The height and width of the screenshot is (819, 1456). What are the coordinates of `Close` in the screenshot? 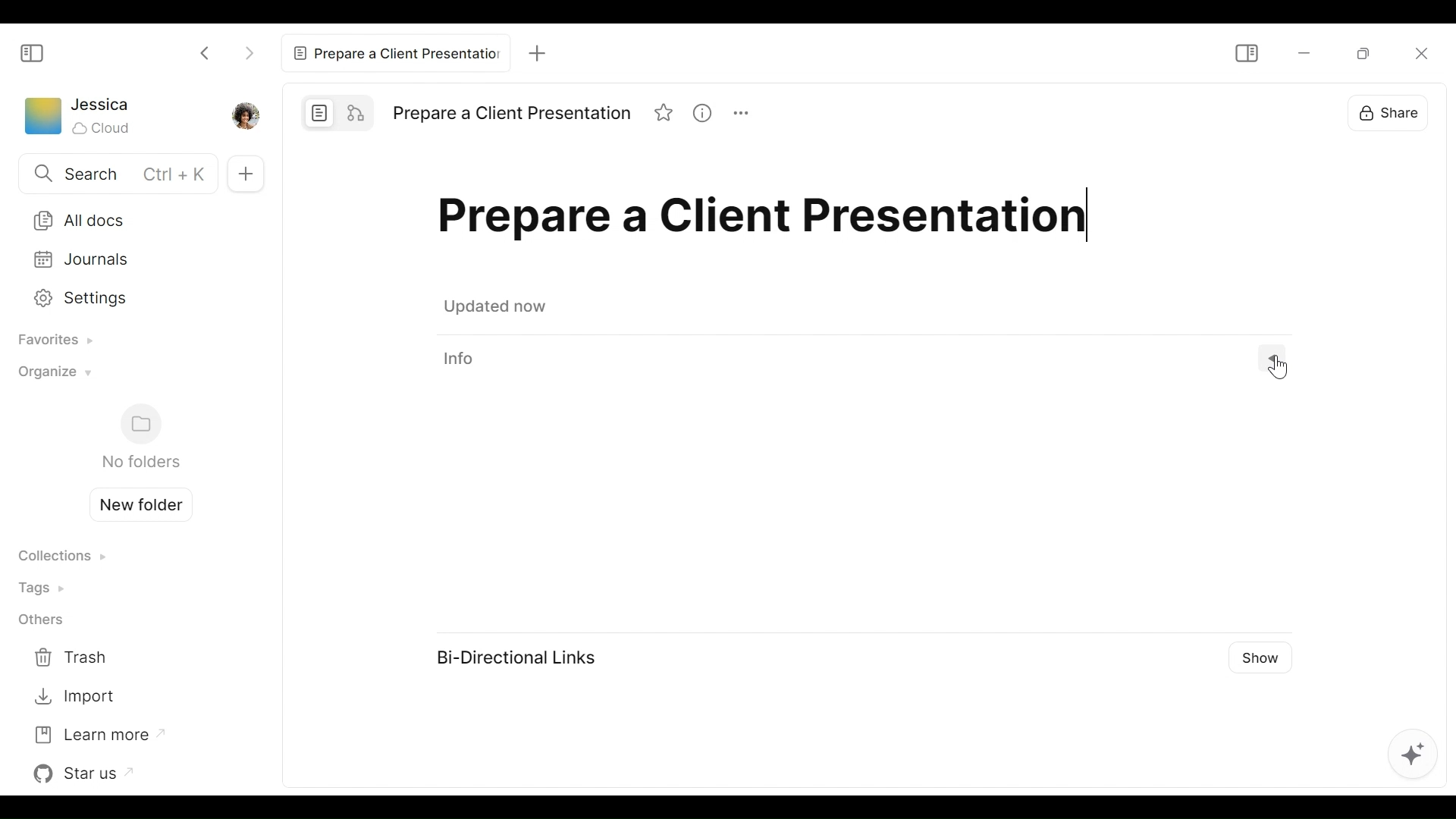 It's located at (1419, 53).